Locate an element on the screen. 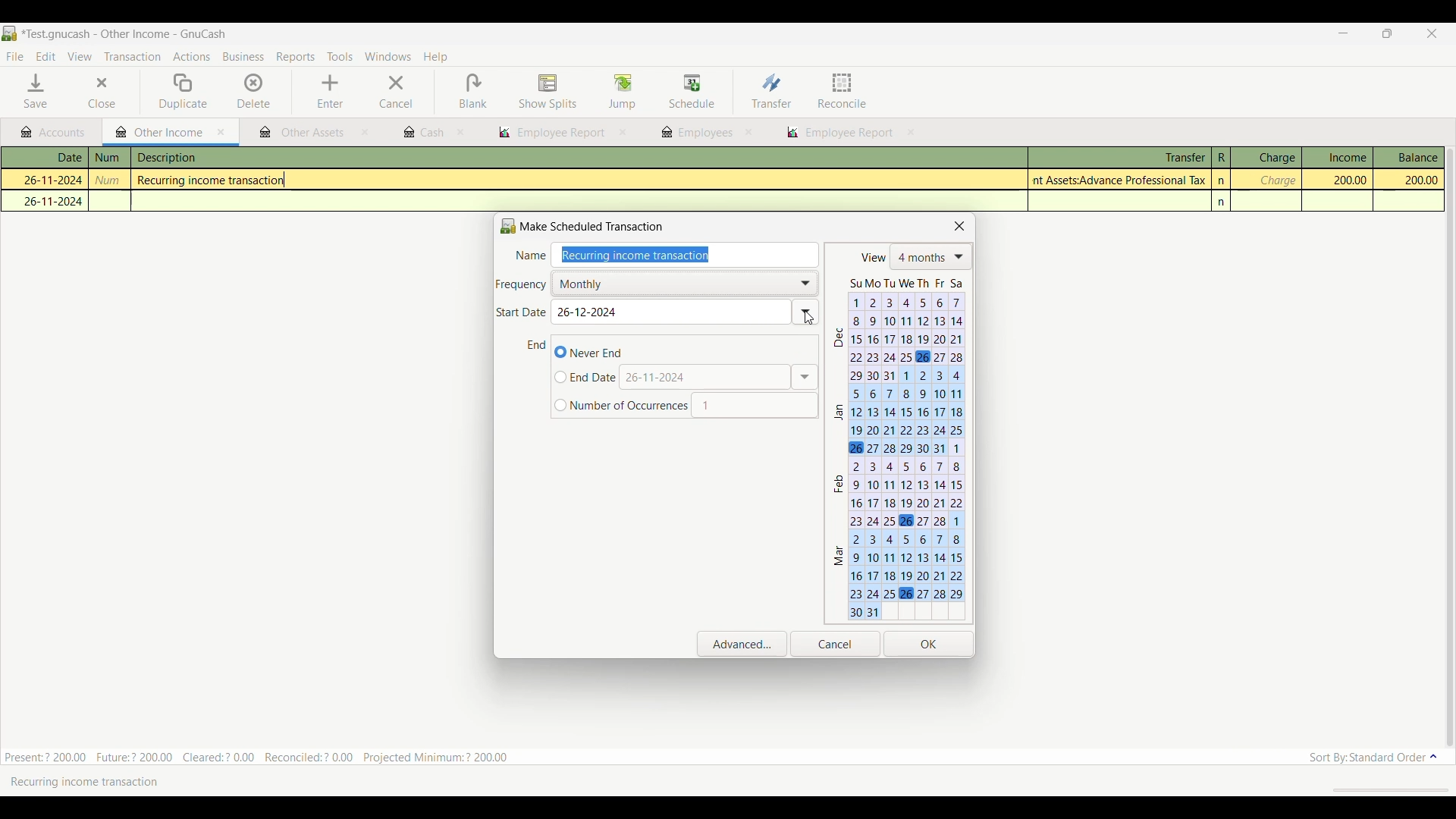 The image size is (1456, 819). Cursor clicking on calendar dropdown for start date is located at coordinates (808, 317).